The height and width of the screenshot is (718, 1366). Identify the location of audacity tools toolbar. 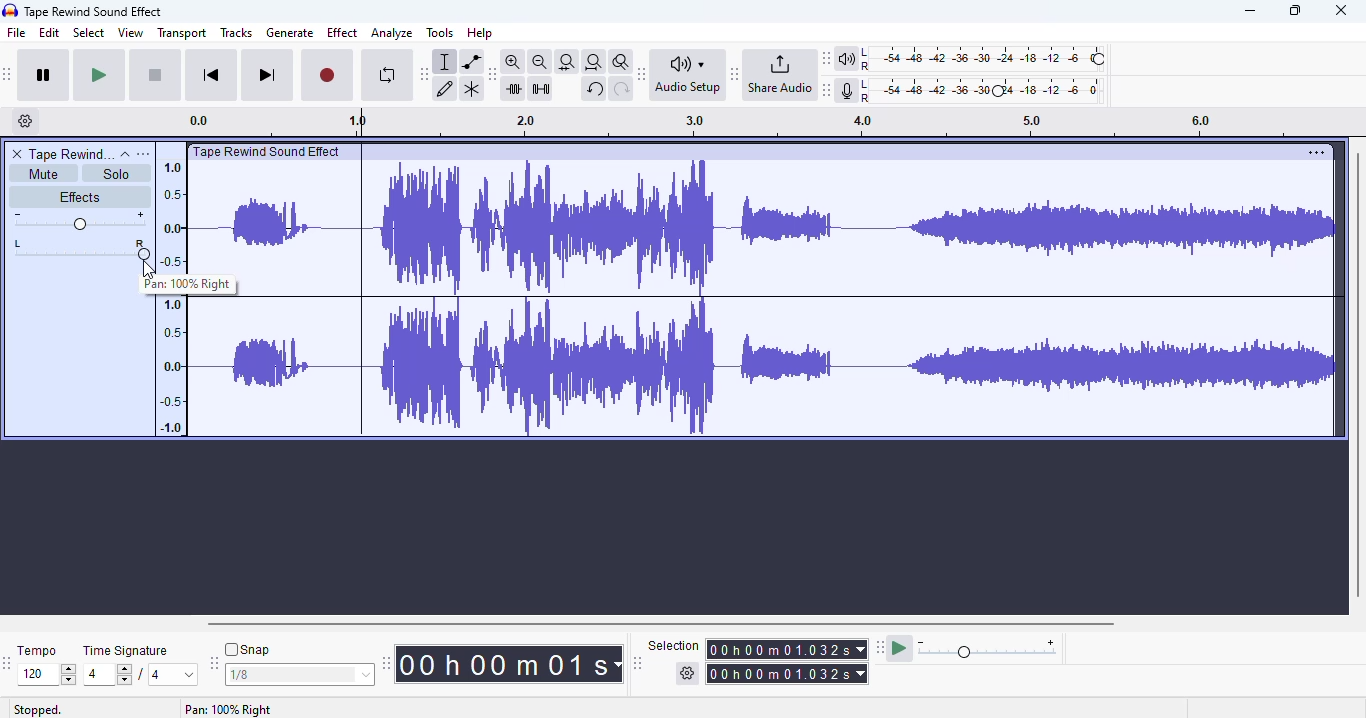
(424, 75).